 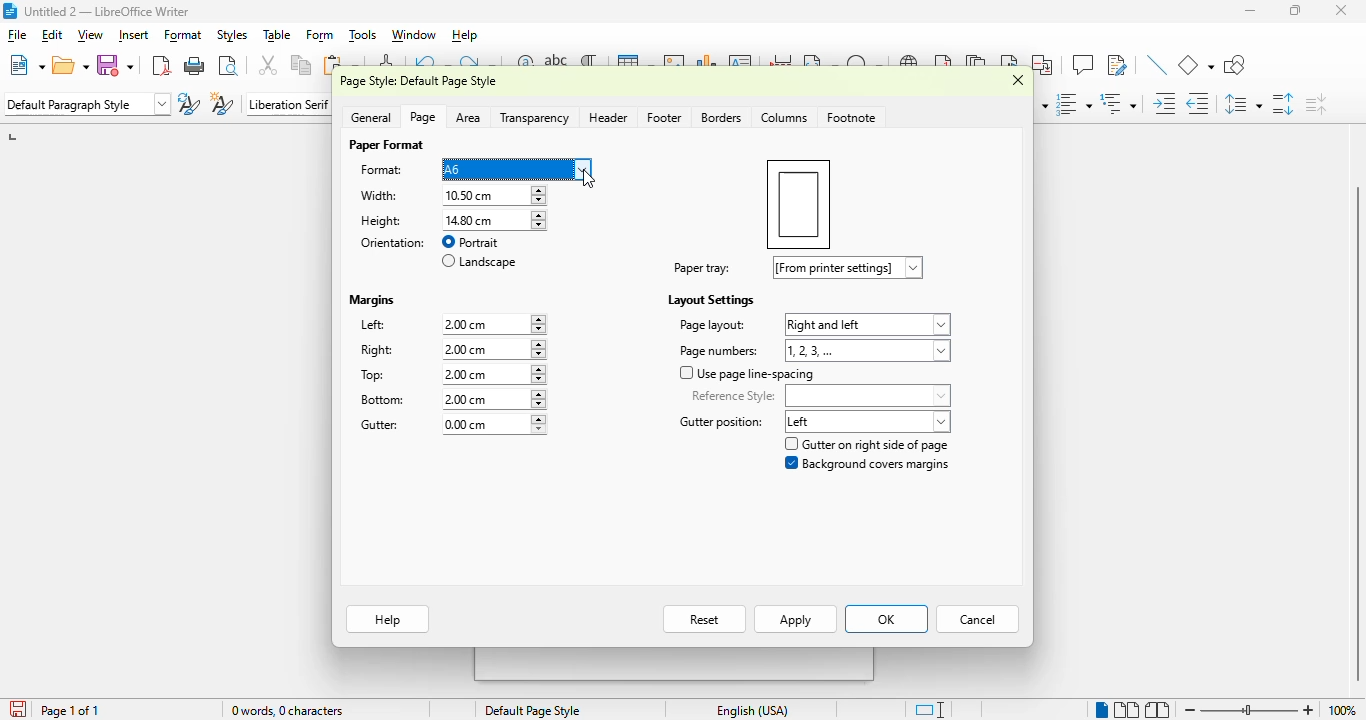 What do you see at coordinates (889, 618) in the screenshot?
I see `OK` at bounding box center [889, 618].